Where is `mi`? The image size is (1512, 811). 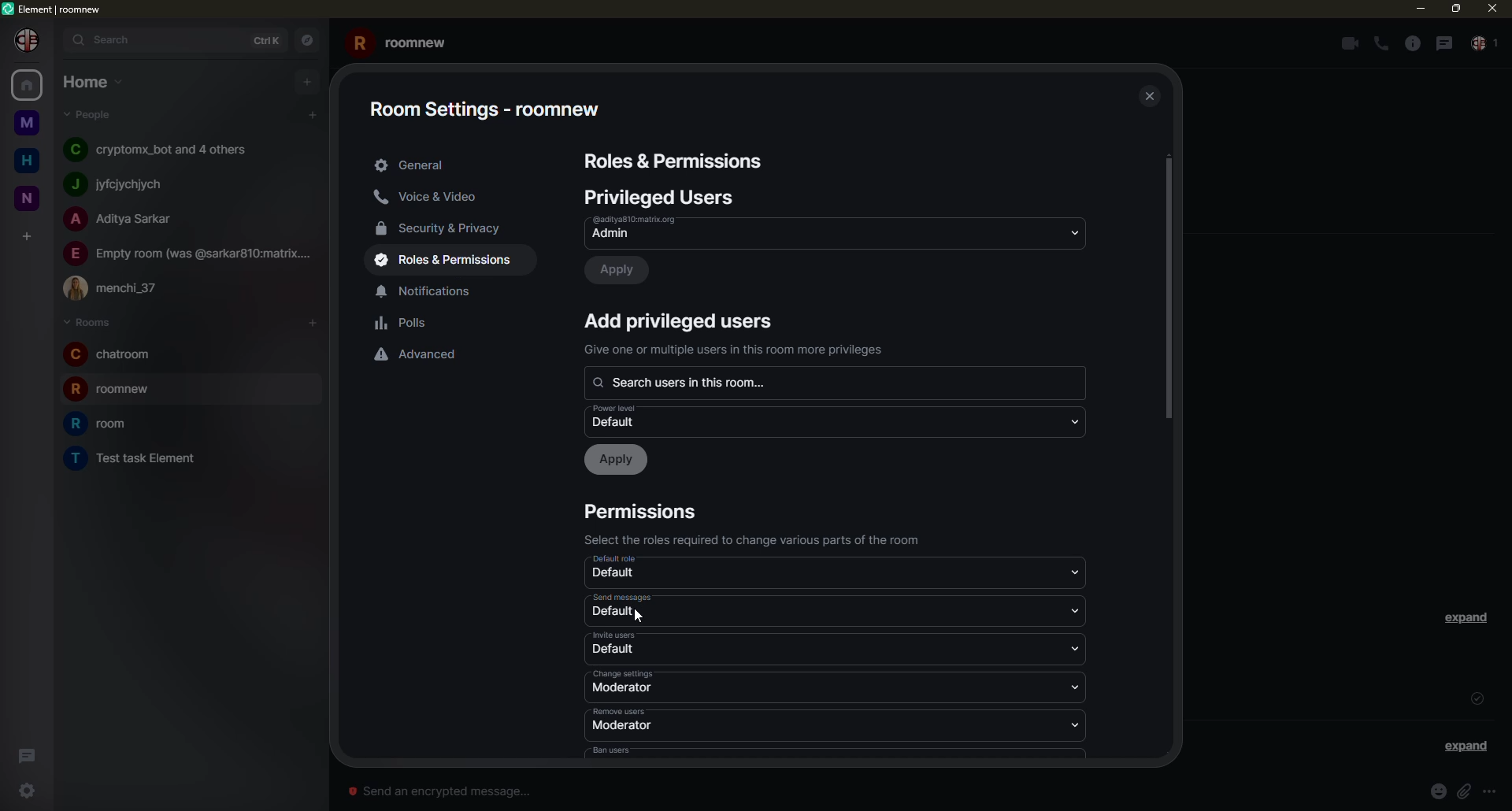 mi is located at coordinates (1420, 9).